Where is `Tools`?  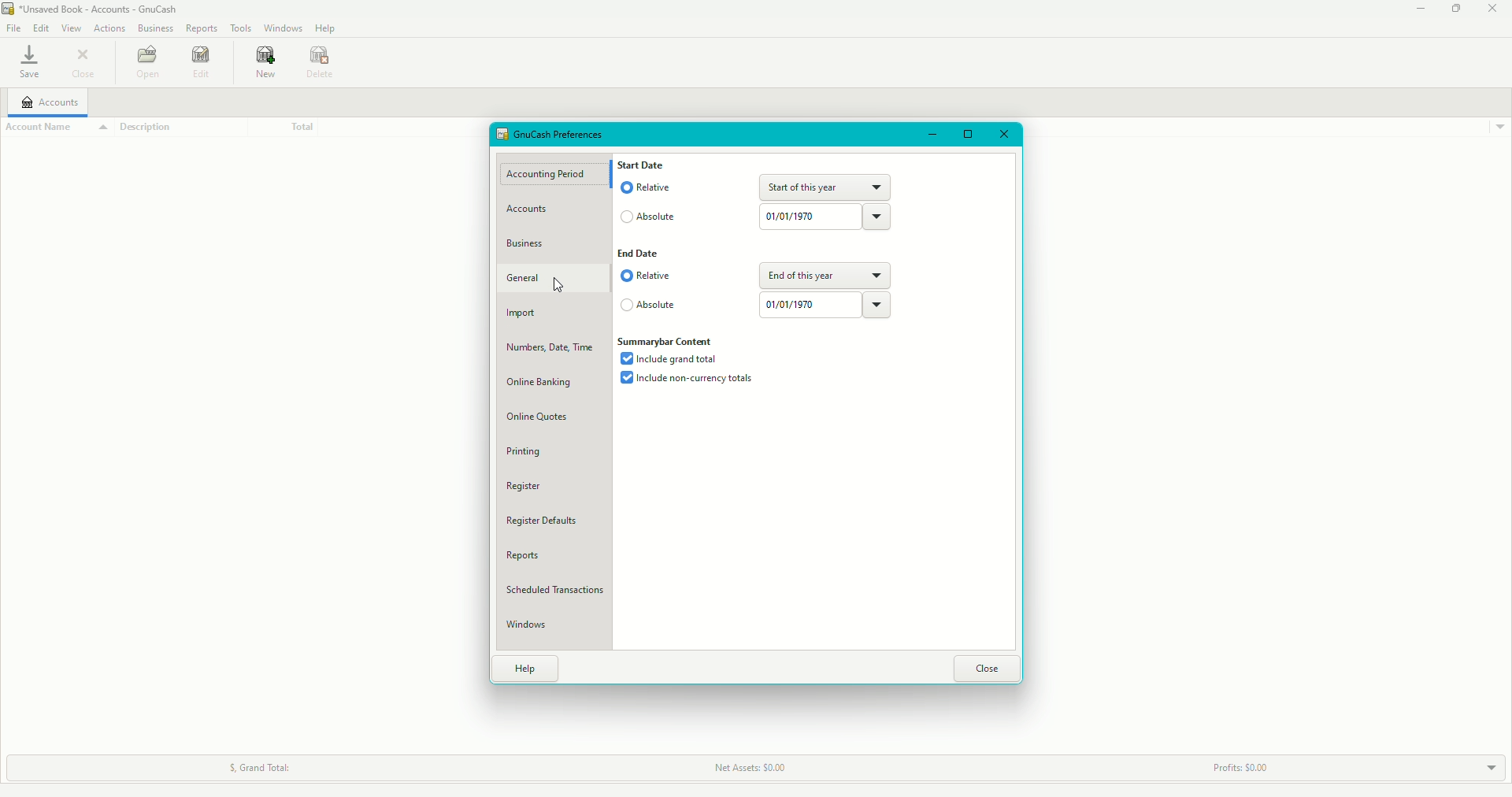
Tools is located at coordinates (243, 27).